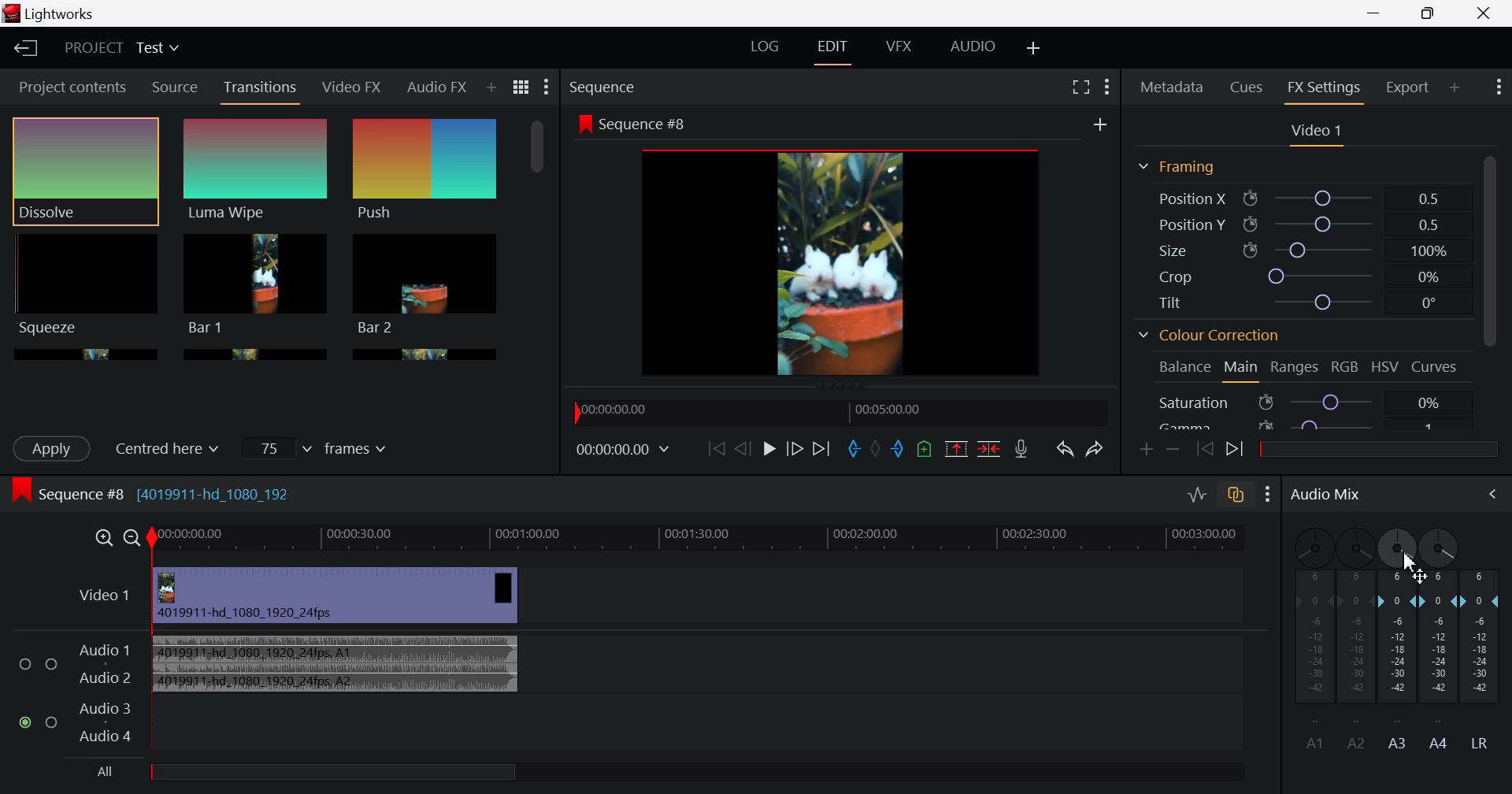 The height and width of the screenshot is (794, 1512). What do you see at coordinates (318, 447) in the screenshot?
I see `Frames Input` at bounding box center [318, 447].